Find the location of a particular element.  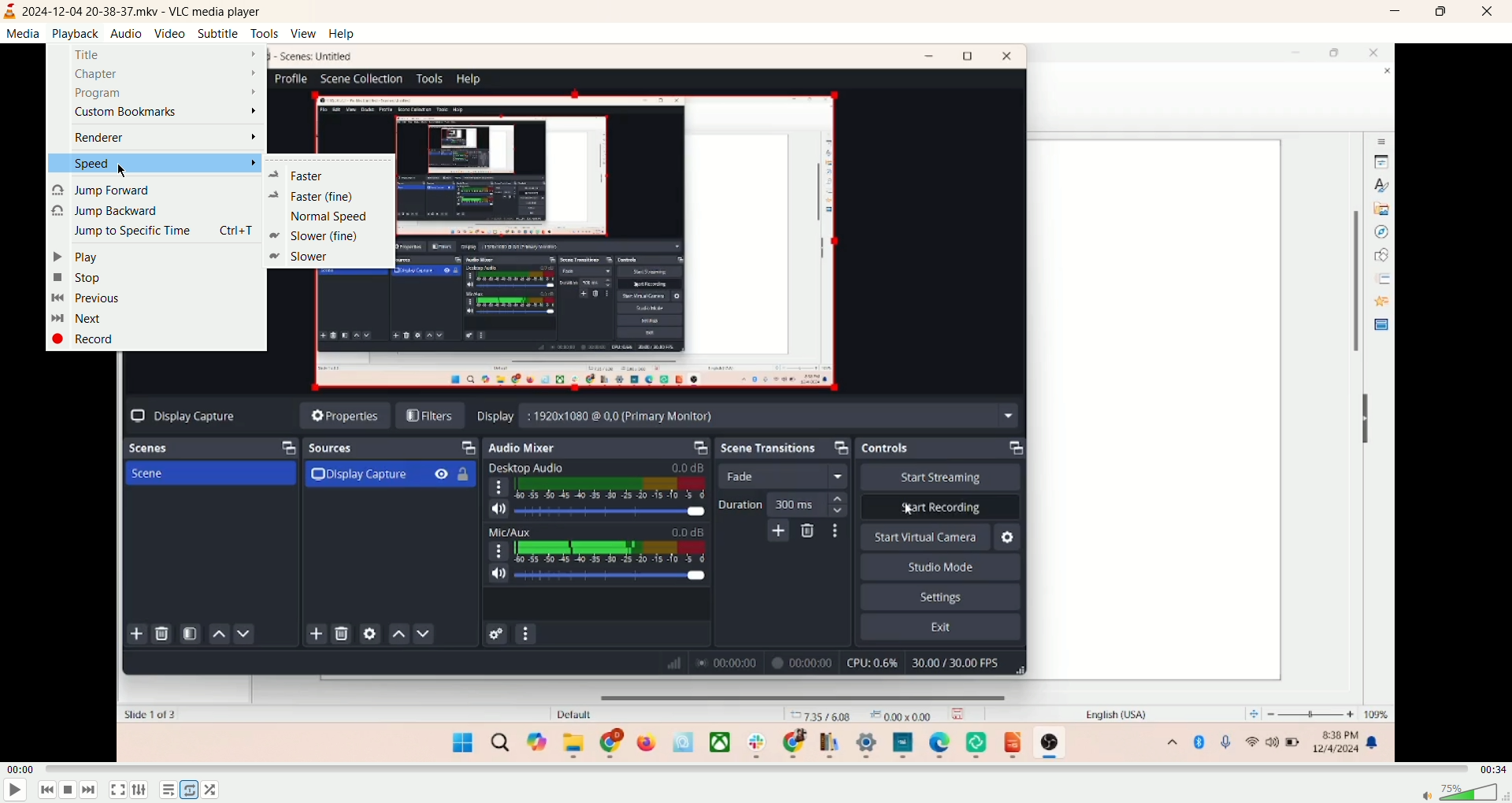

playback is located at coordinates (75, 33).